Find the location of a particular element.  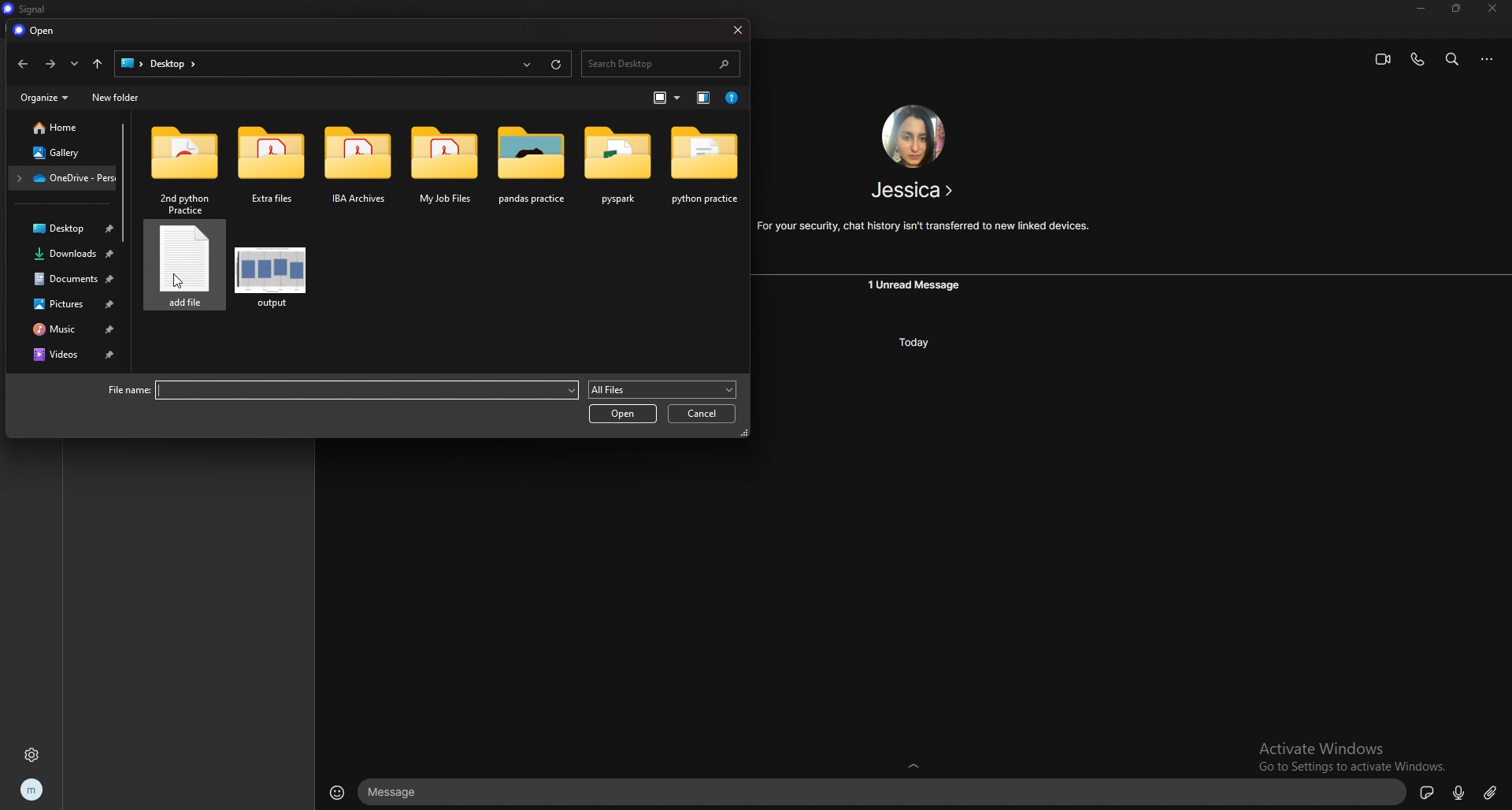

voice type is located at coordinates (1459, 793).